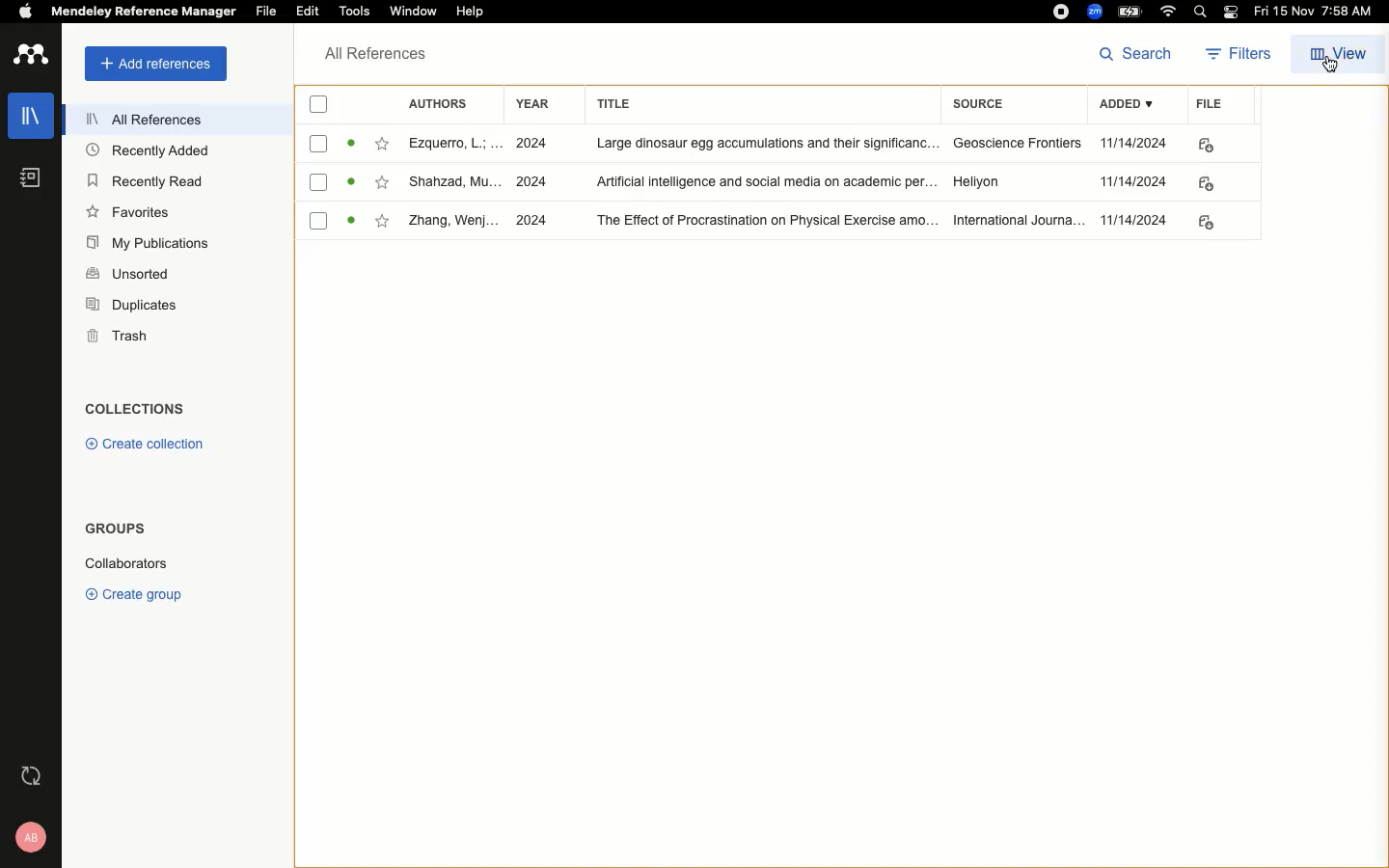  I want to click on Artificial intelligence and social media on academic per..., so click(763, 183).